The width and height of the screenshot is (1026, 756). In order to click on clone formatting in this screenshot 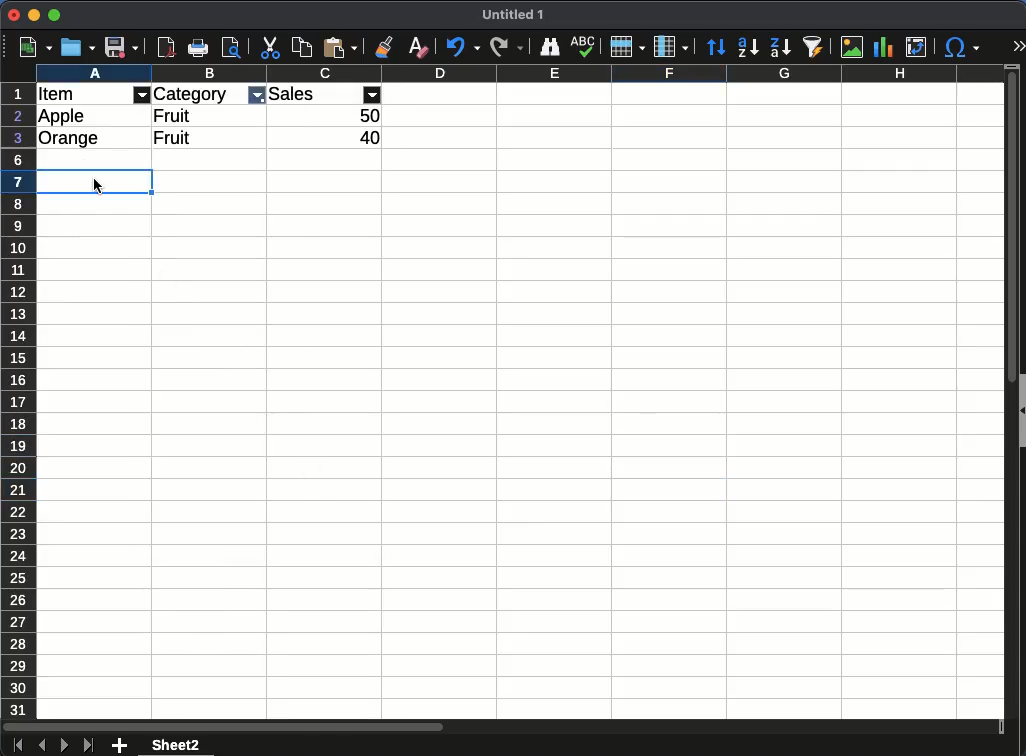, I will do `click(383, 47)`.